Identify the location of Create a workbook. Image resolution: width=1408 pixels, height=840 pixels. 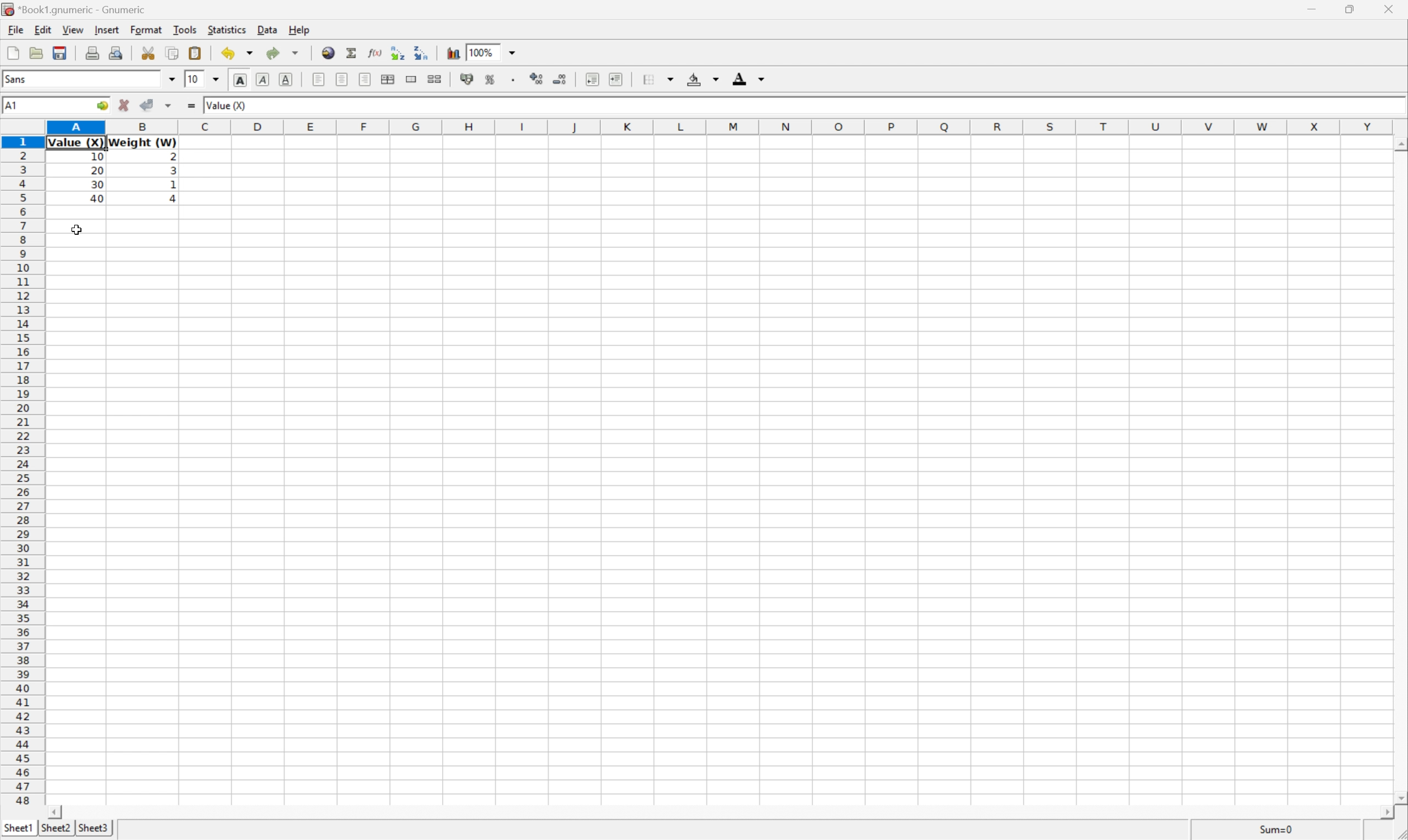
(11, 53).